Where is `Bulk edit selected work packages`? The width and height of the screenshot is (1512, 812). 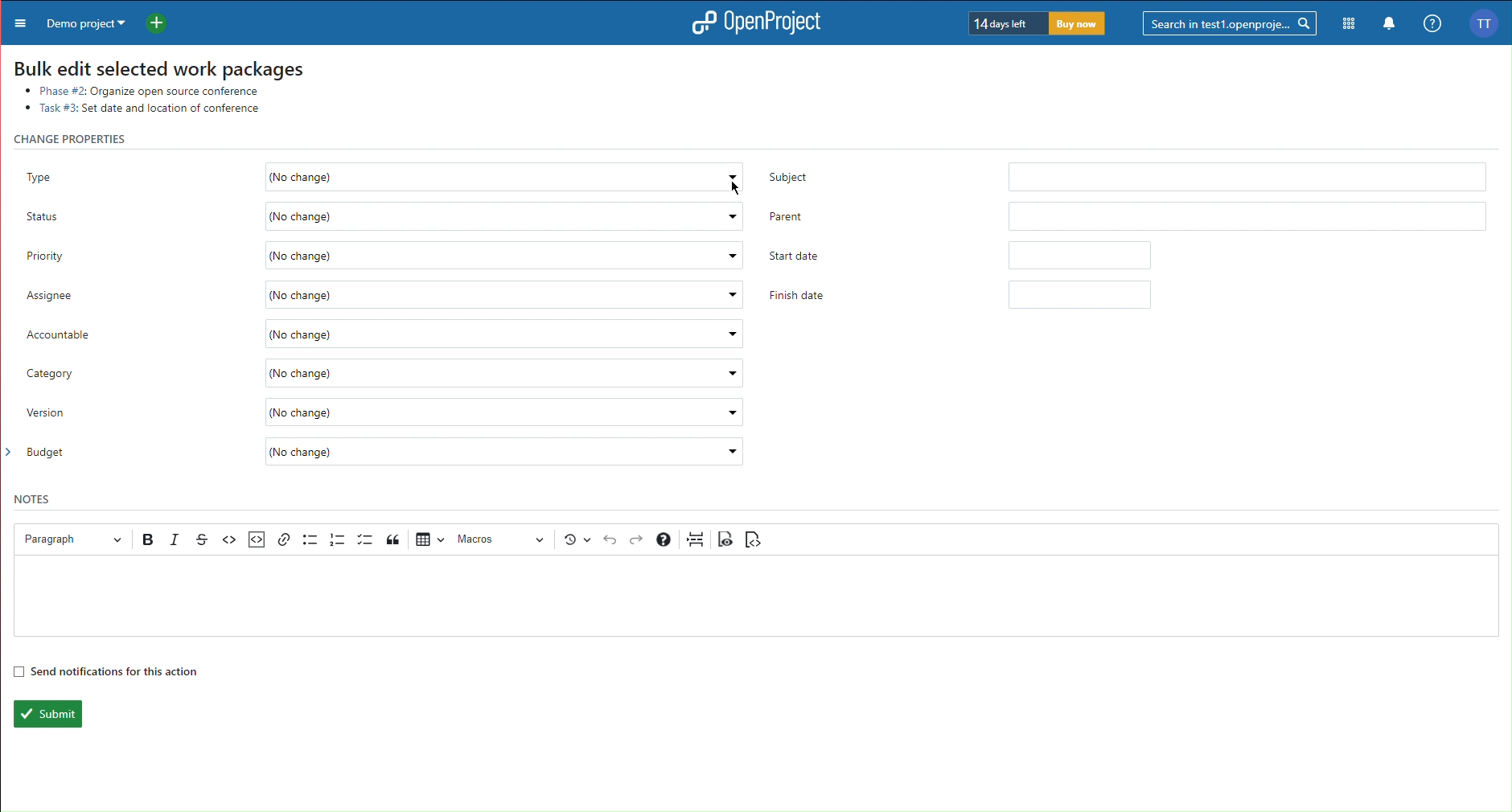
Bulk edit selected work packages is located at coordinates (158, 65).